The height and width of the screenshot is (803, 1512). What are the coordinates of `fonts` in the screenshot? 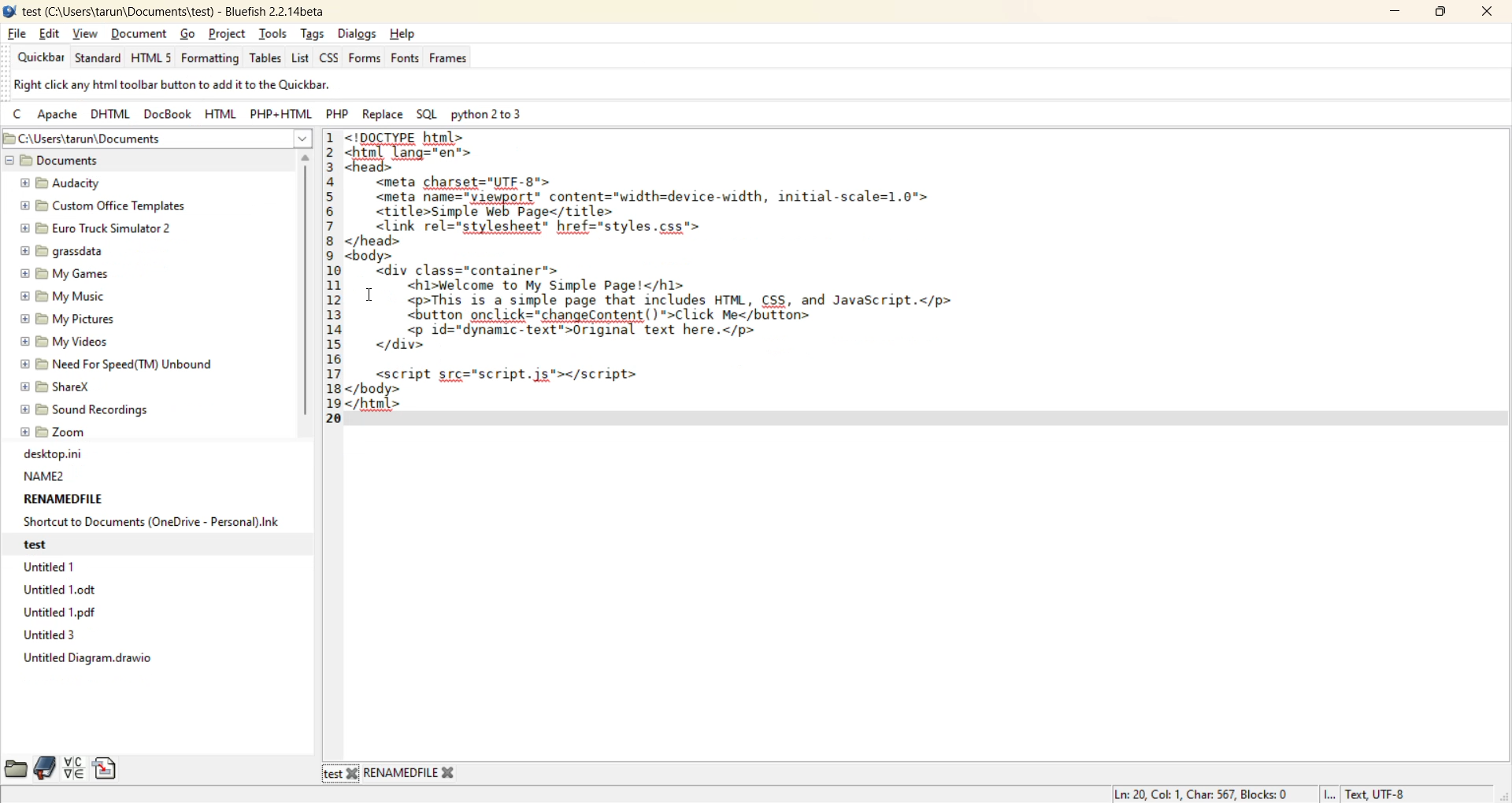 It's located at (406, 62).